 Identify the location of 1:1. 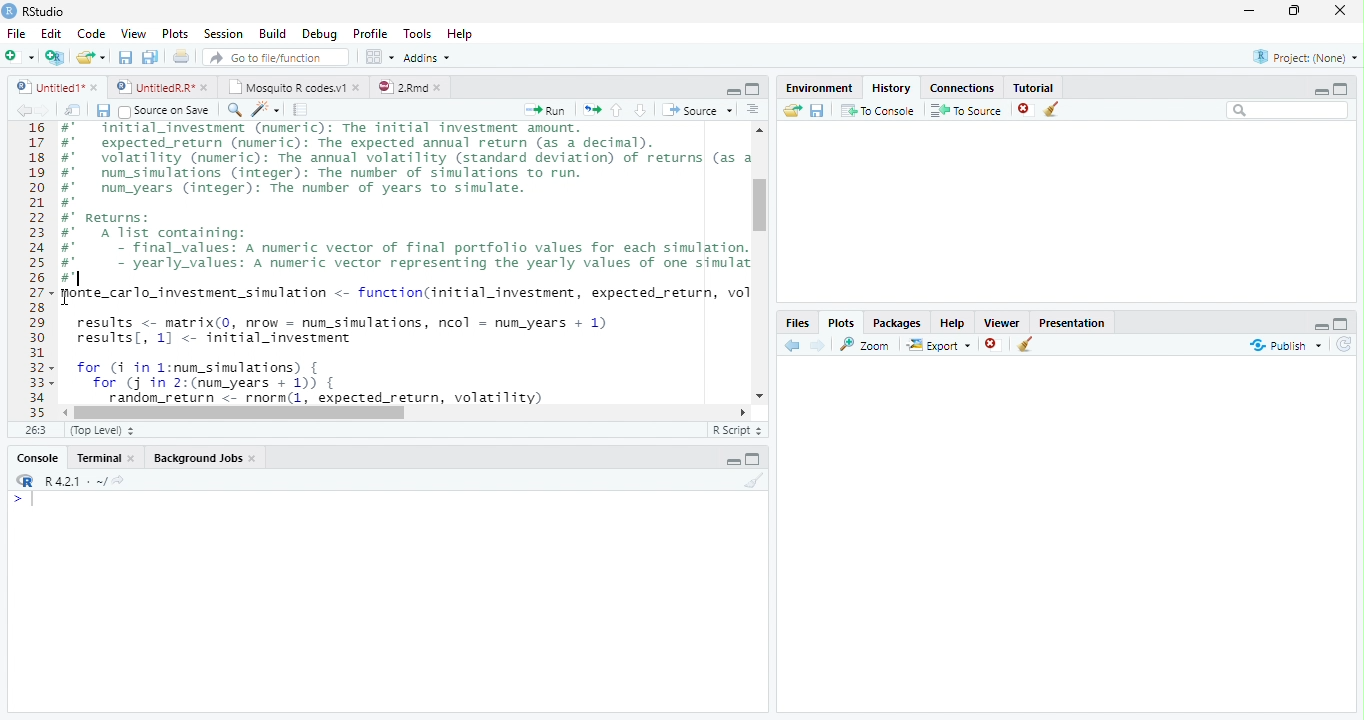
(34, 430).